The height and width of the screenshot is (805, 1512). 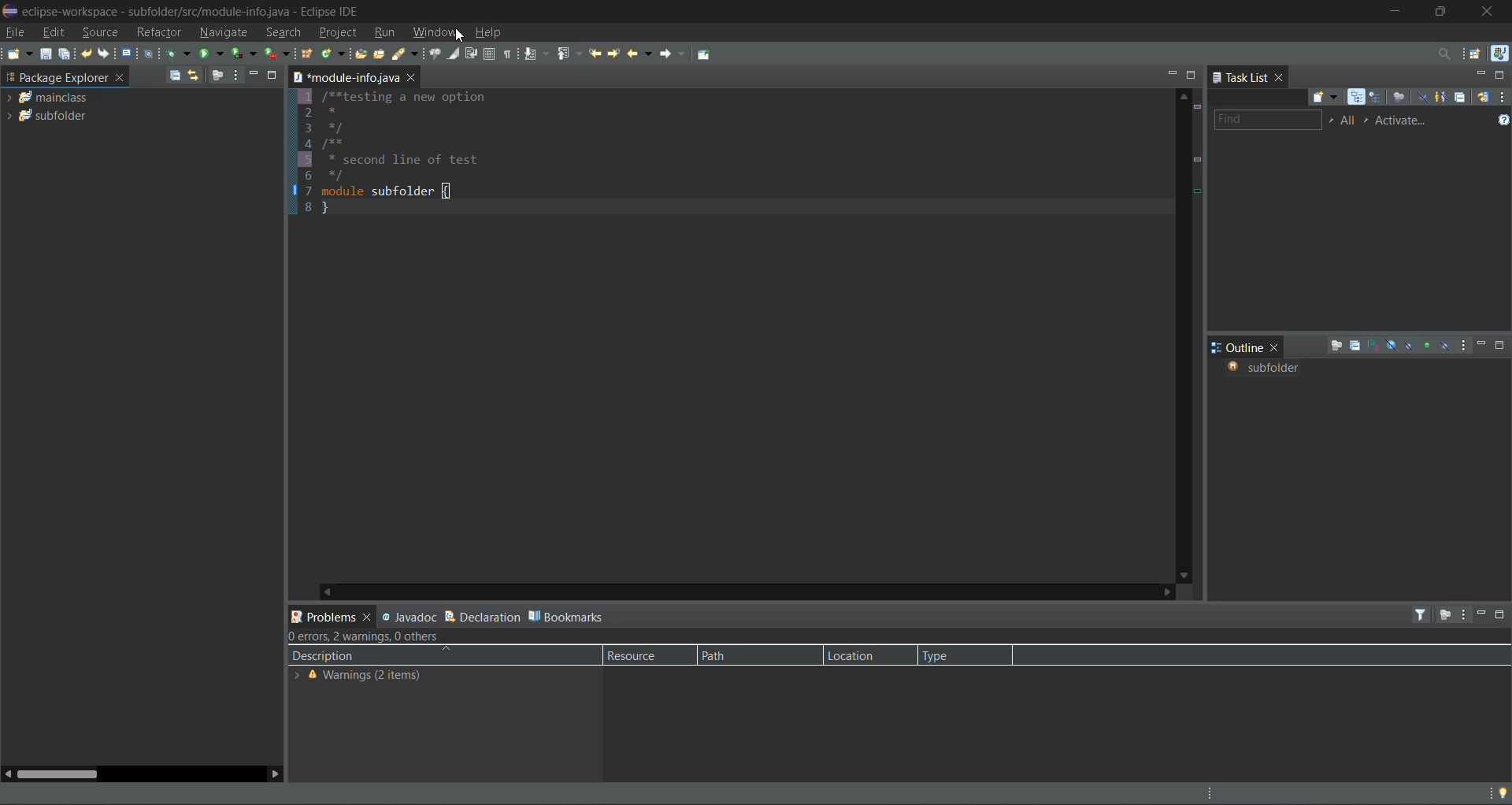 What do you see at coordinates (149, 52) in the screenshot?
I see `skip all breakpoints` at bounding box center [149, 52].